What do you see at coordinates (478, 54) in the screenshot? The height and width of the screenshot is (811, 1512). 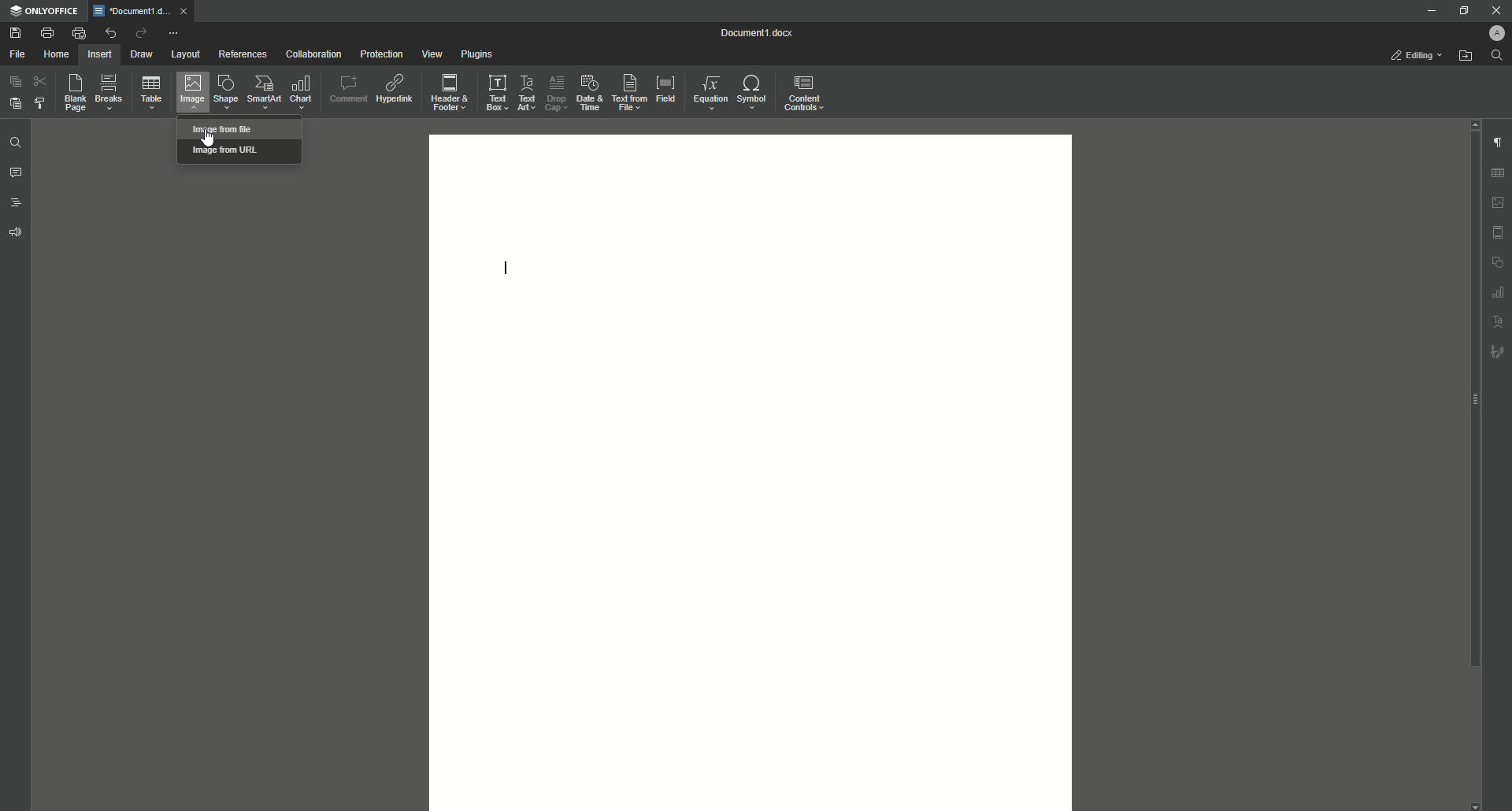 I see `Plugins` at bounding box center [478, 54].